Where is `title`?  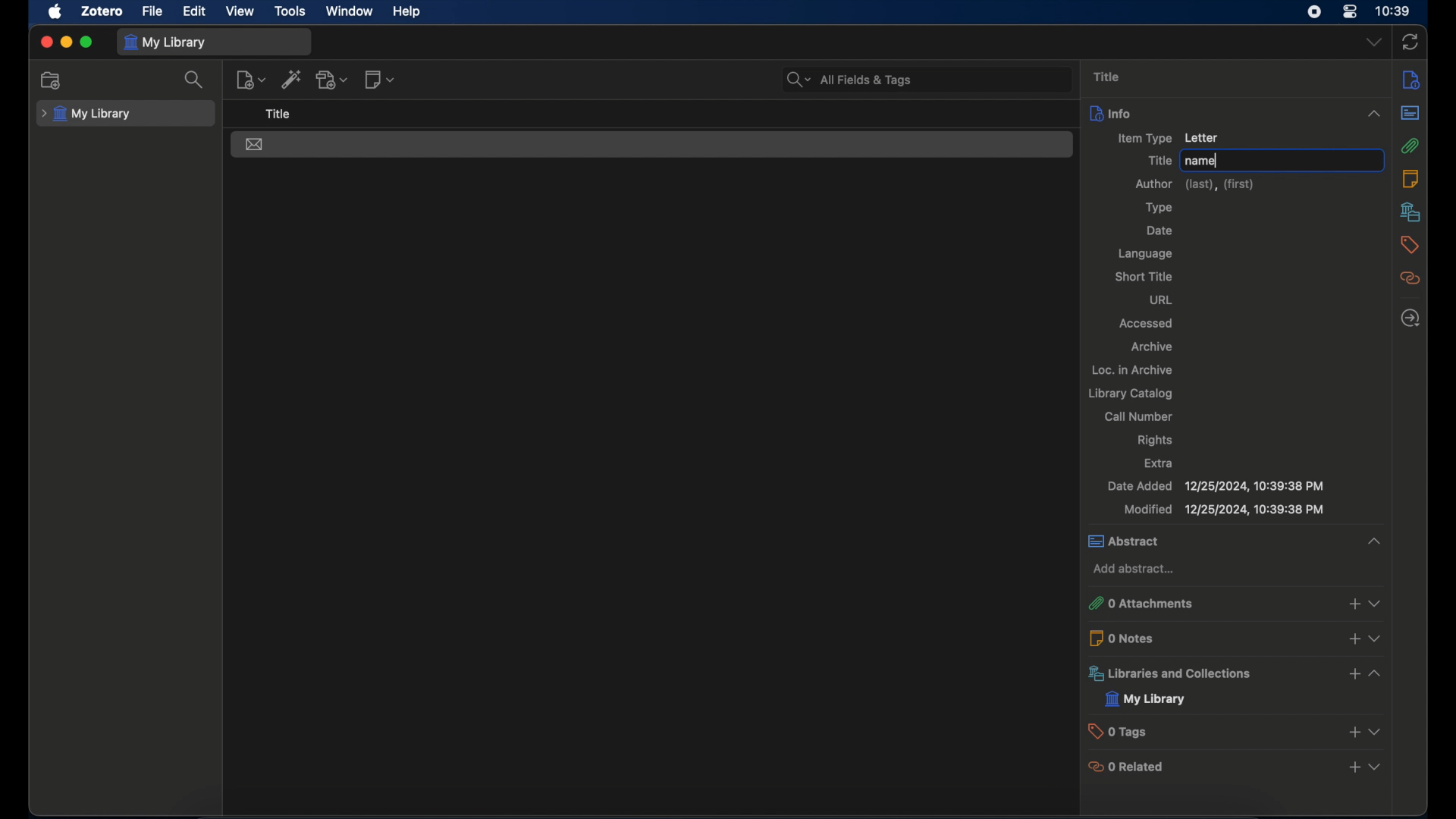
title is located at coordinates (1159, 161).